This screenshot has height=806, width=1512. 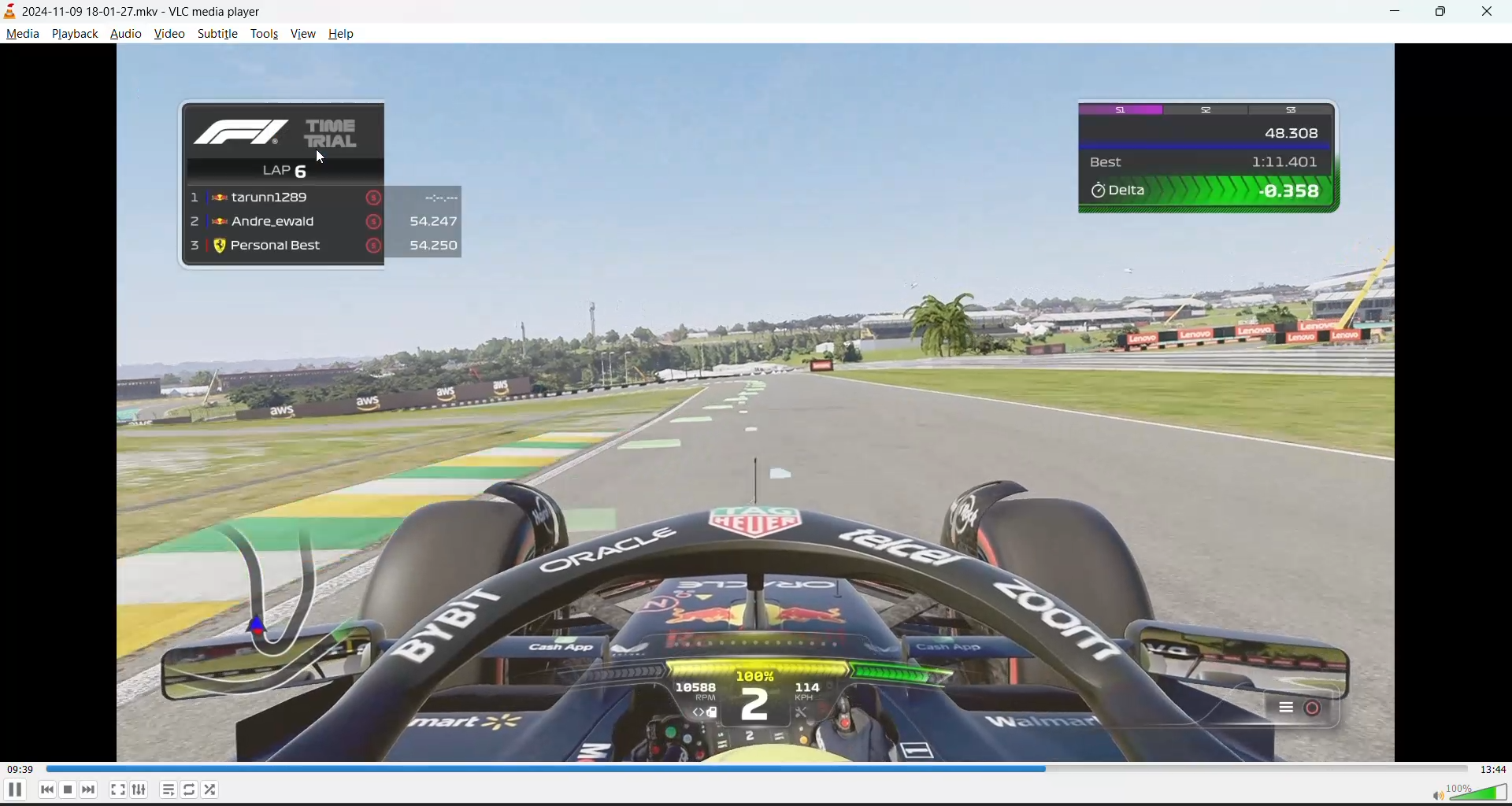 What do you see at coordinates (211, 789) in the screenshot?
I see `random` at bounding box center [211, 789].